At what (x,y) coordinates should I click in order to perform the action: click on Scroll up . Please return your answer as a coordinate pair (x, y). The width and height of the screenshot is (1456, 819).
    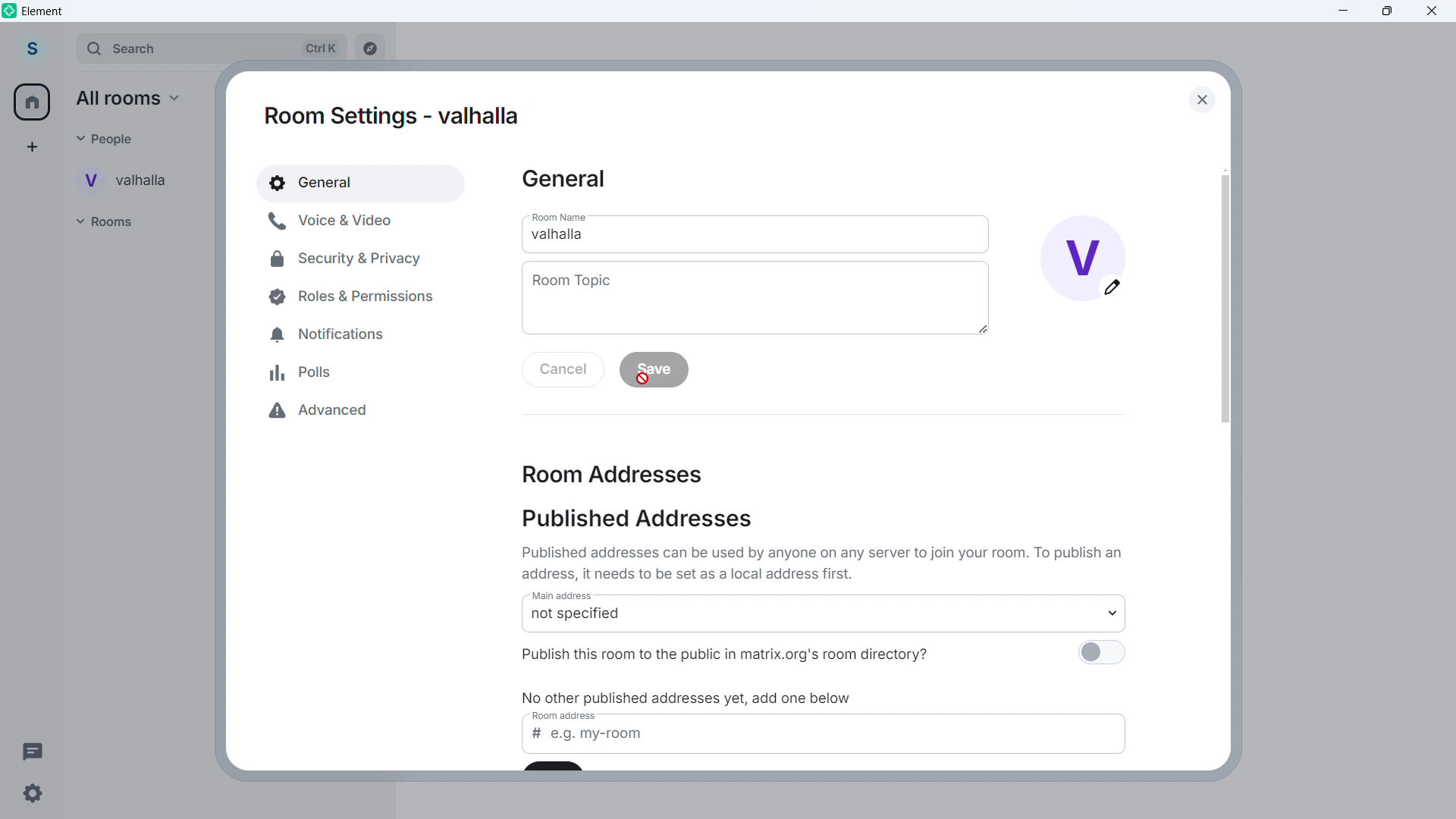
    Looking at the image, I should click on (1225, 169).